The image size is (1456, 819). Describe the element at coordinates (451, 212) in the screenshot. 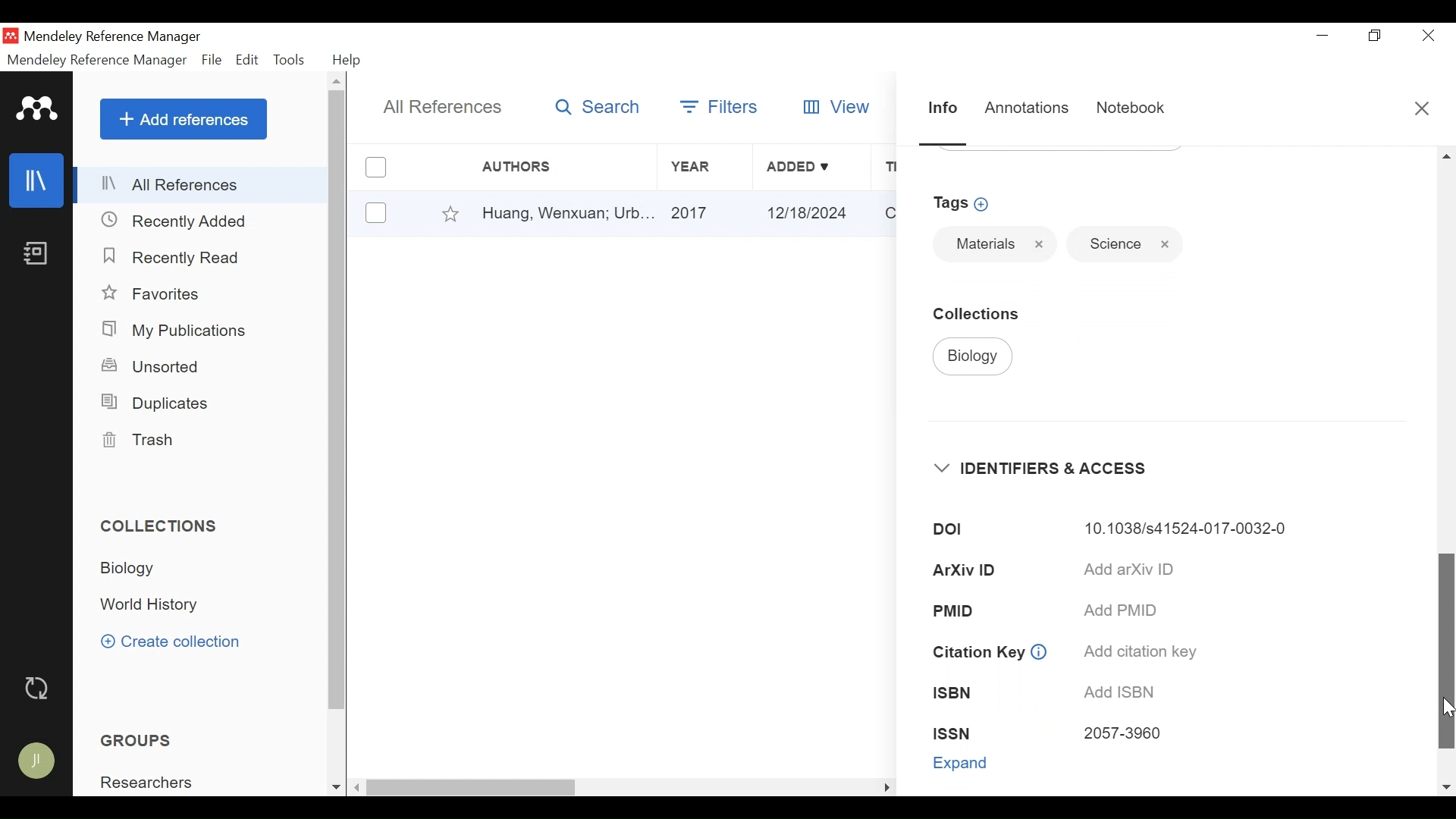

I see `Favorites` at that location.